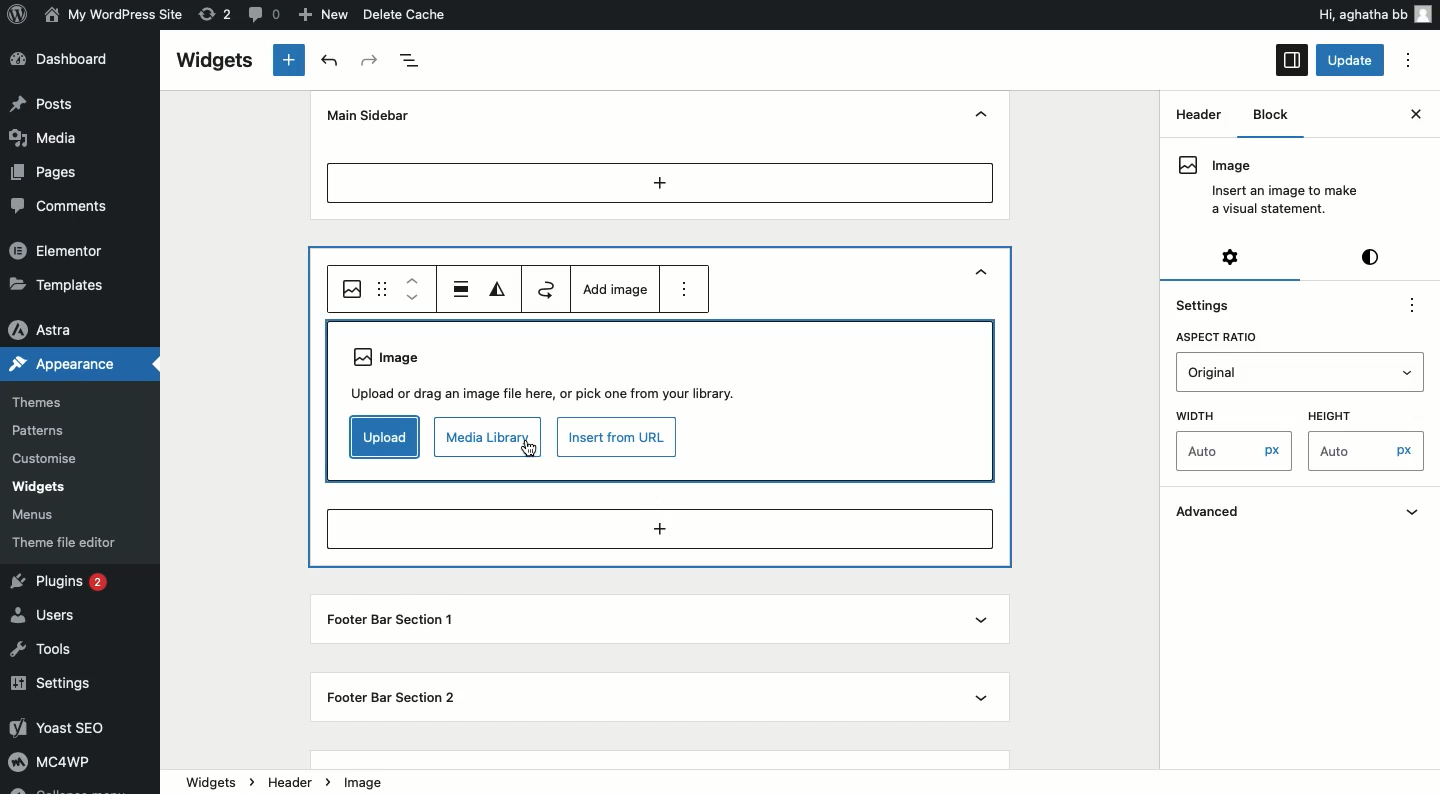 The width and height of the screenshot is (1440, 794). What do you see at coordinates (982, 695) in the screenshot?
I see `Show` at bounding box center [982, 695].